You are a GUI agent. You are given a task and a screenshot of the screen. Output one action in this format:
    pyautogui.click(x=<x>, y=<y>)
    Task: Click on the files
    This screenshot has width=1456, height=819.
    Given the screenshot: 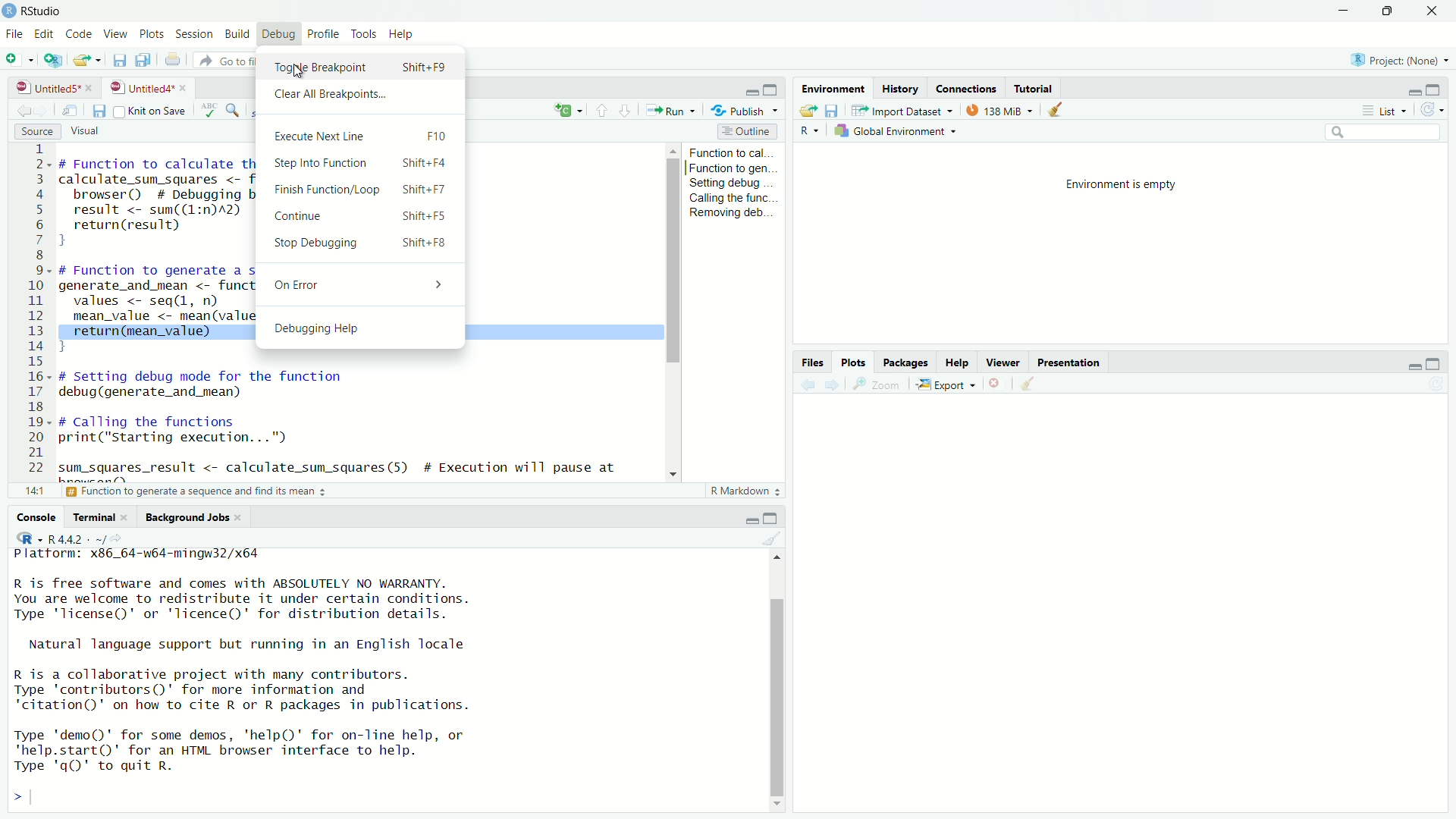 What is the action you would take?
    pyautogui.click(x=813, y=362)
    